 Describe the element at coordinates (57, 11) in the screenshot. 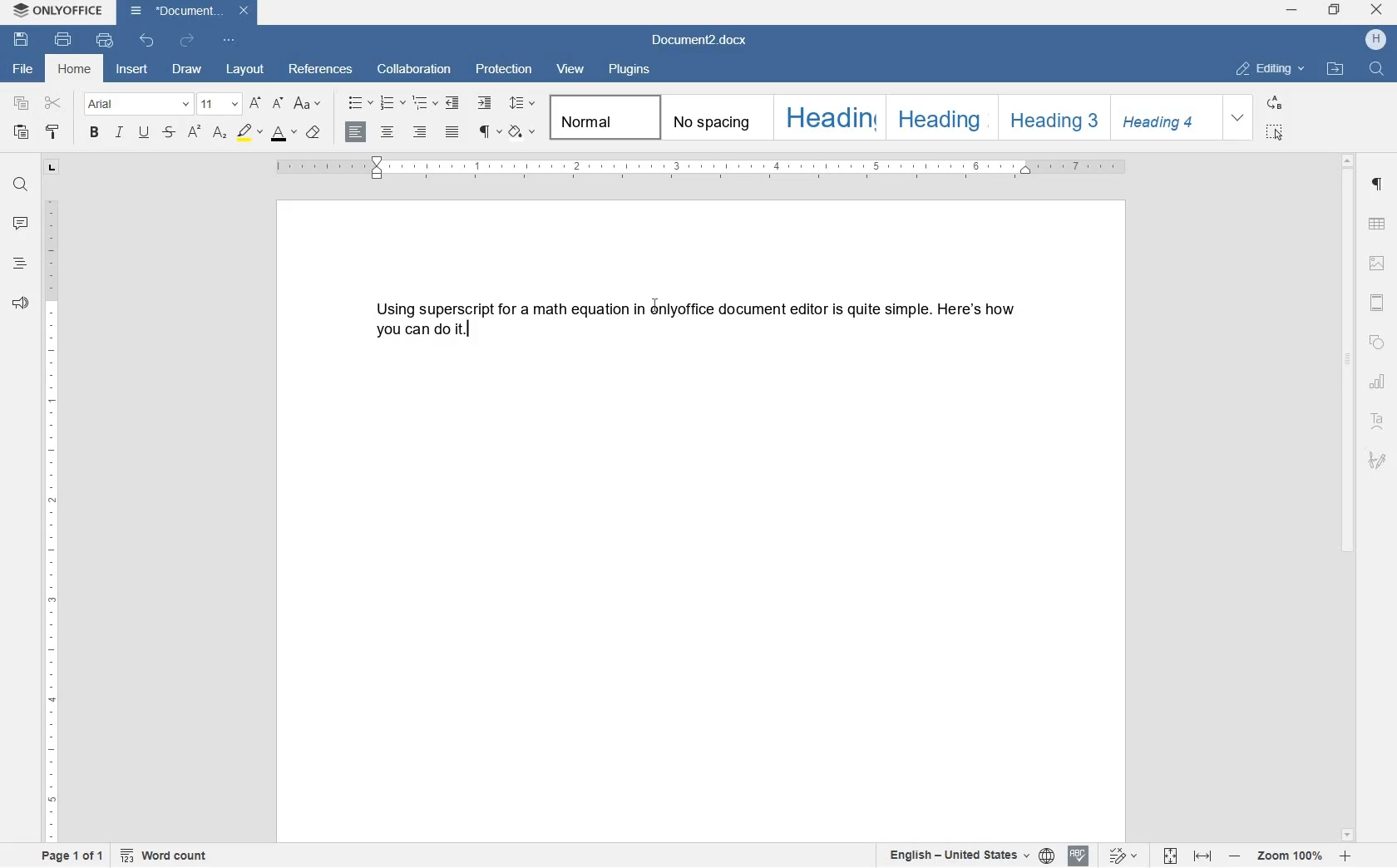

I see `ONLYOFFICE` at that location.